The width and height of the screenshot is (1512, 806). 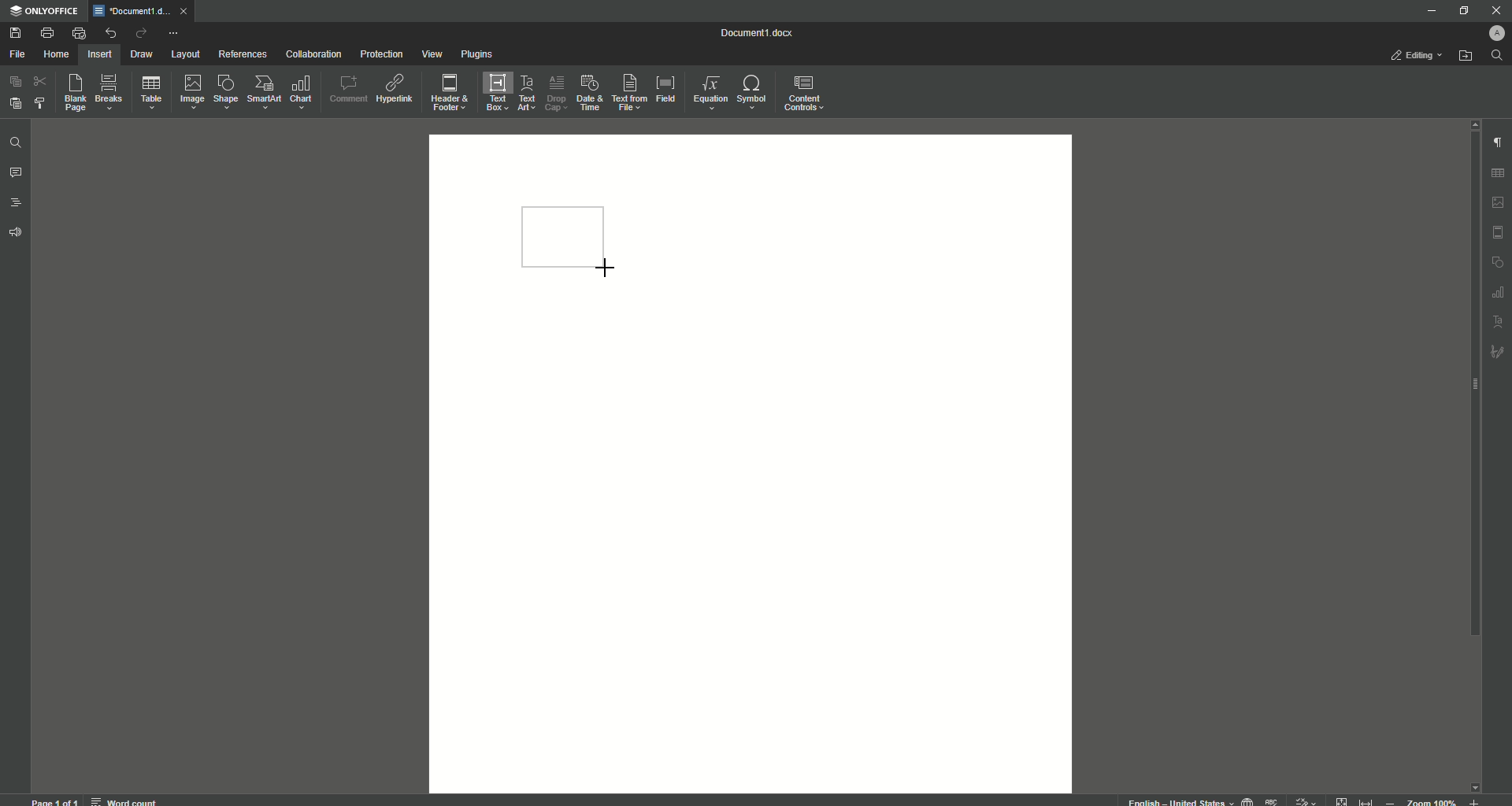 I want to click on close, so click(x=187, y=10).